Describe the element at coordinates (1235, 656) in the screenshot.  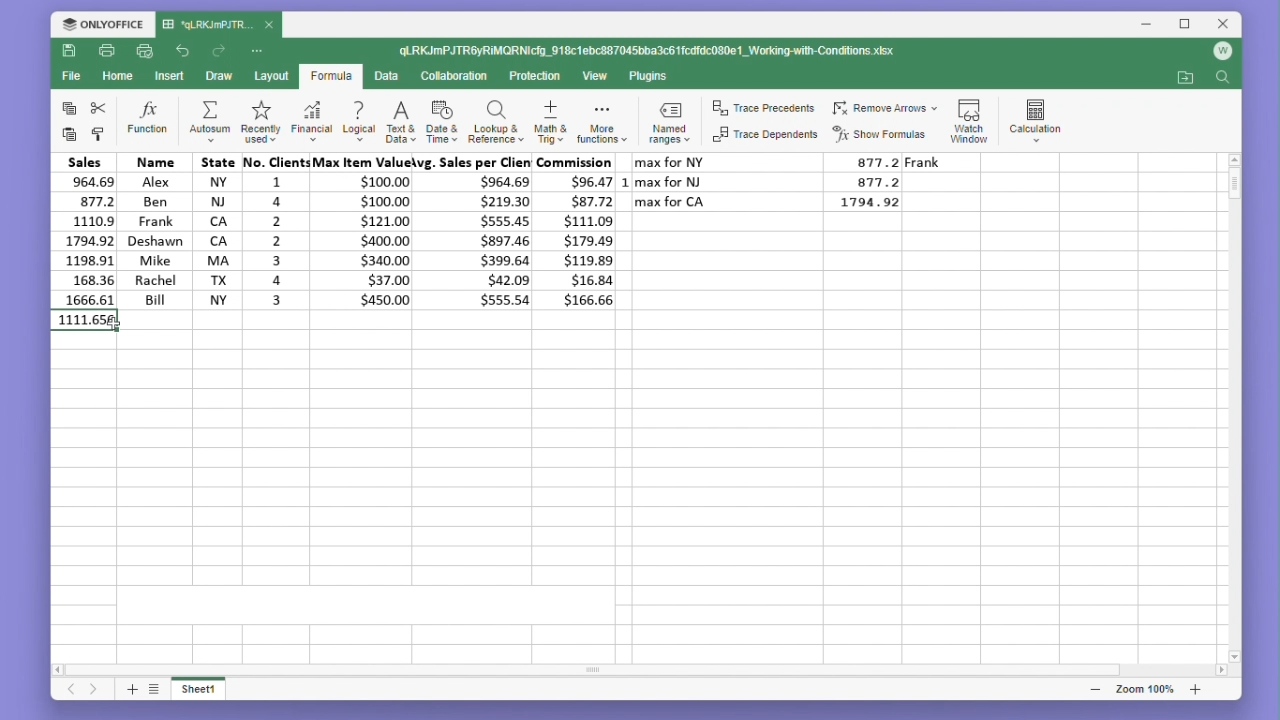
I see `scroll down` at that location.